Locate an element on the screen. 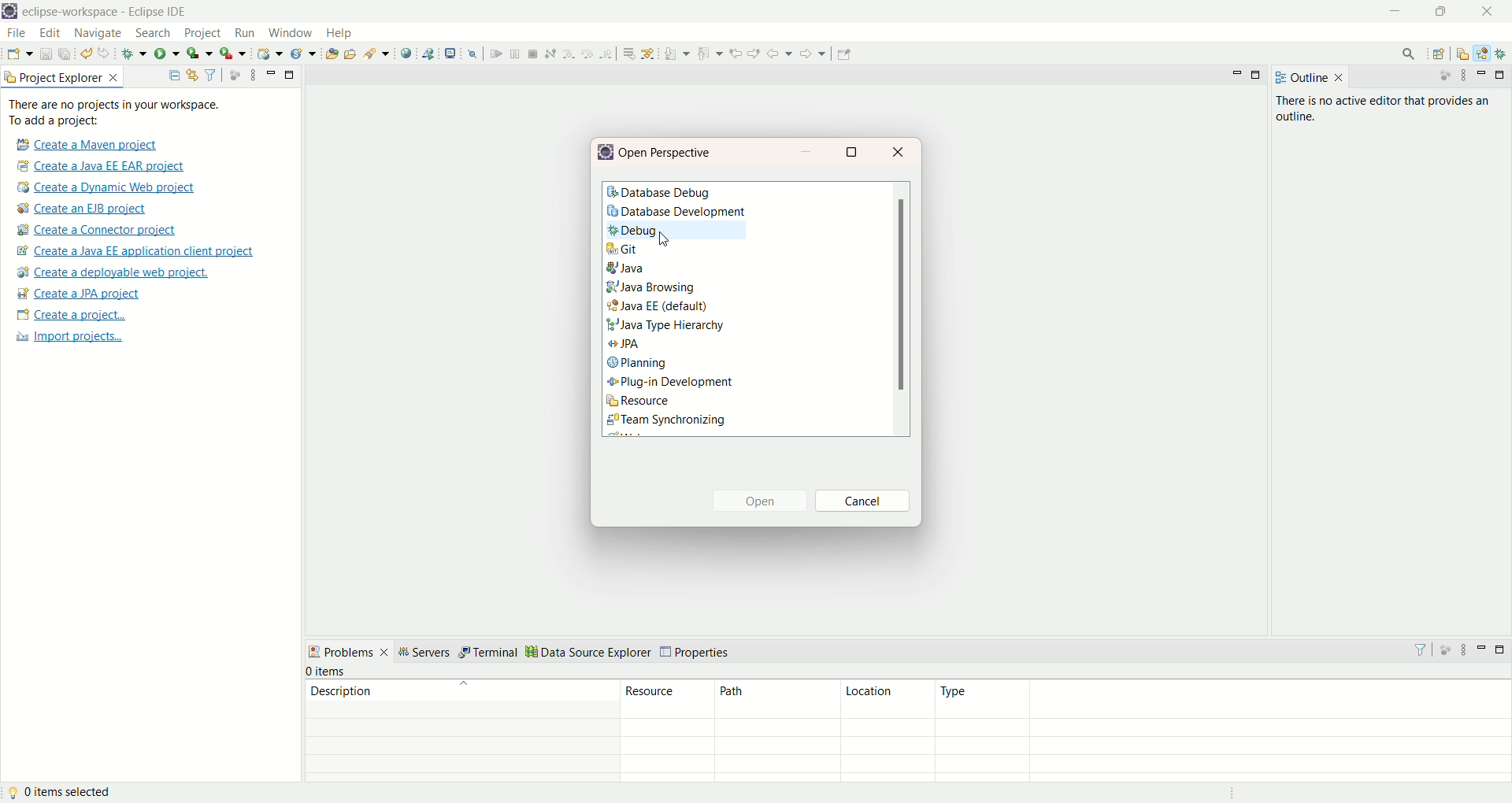 This screenshot has width=1512, height=803. 0 item selected is located at coordinates (62, 793).